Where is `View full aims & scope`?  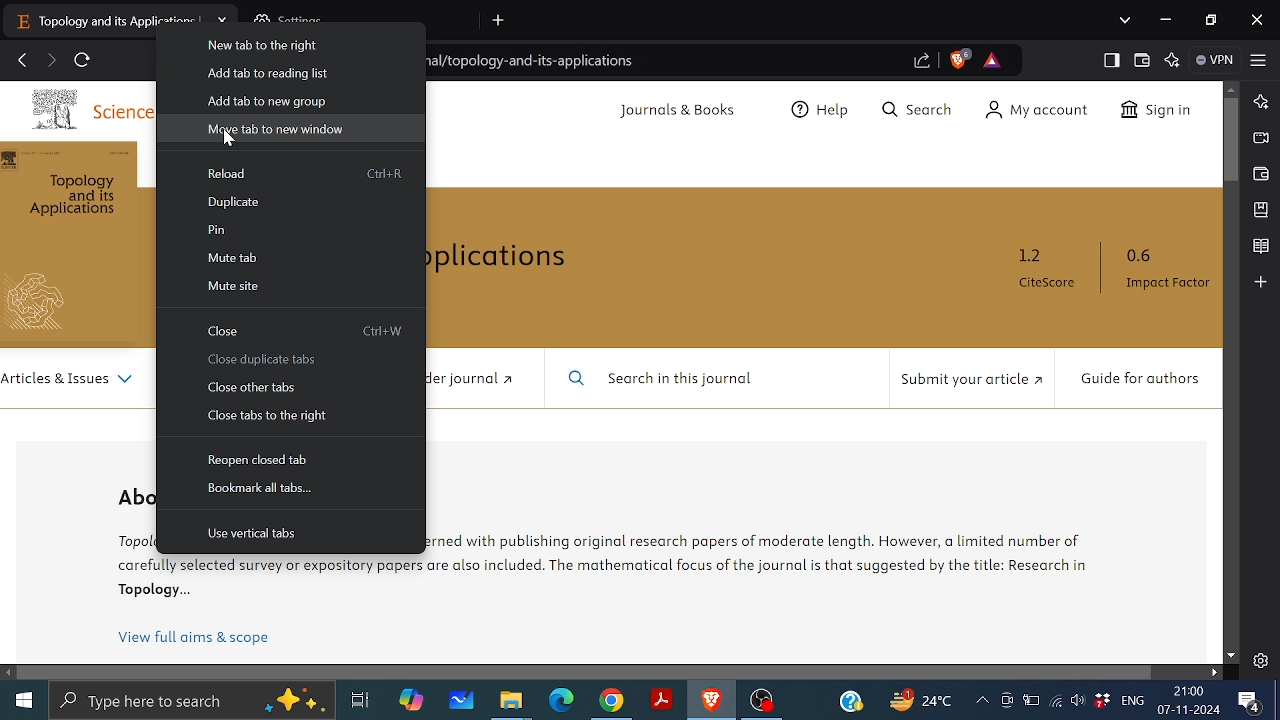
View full aims & scope is located at coordinates (195, 638).